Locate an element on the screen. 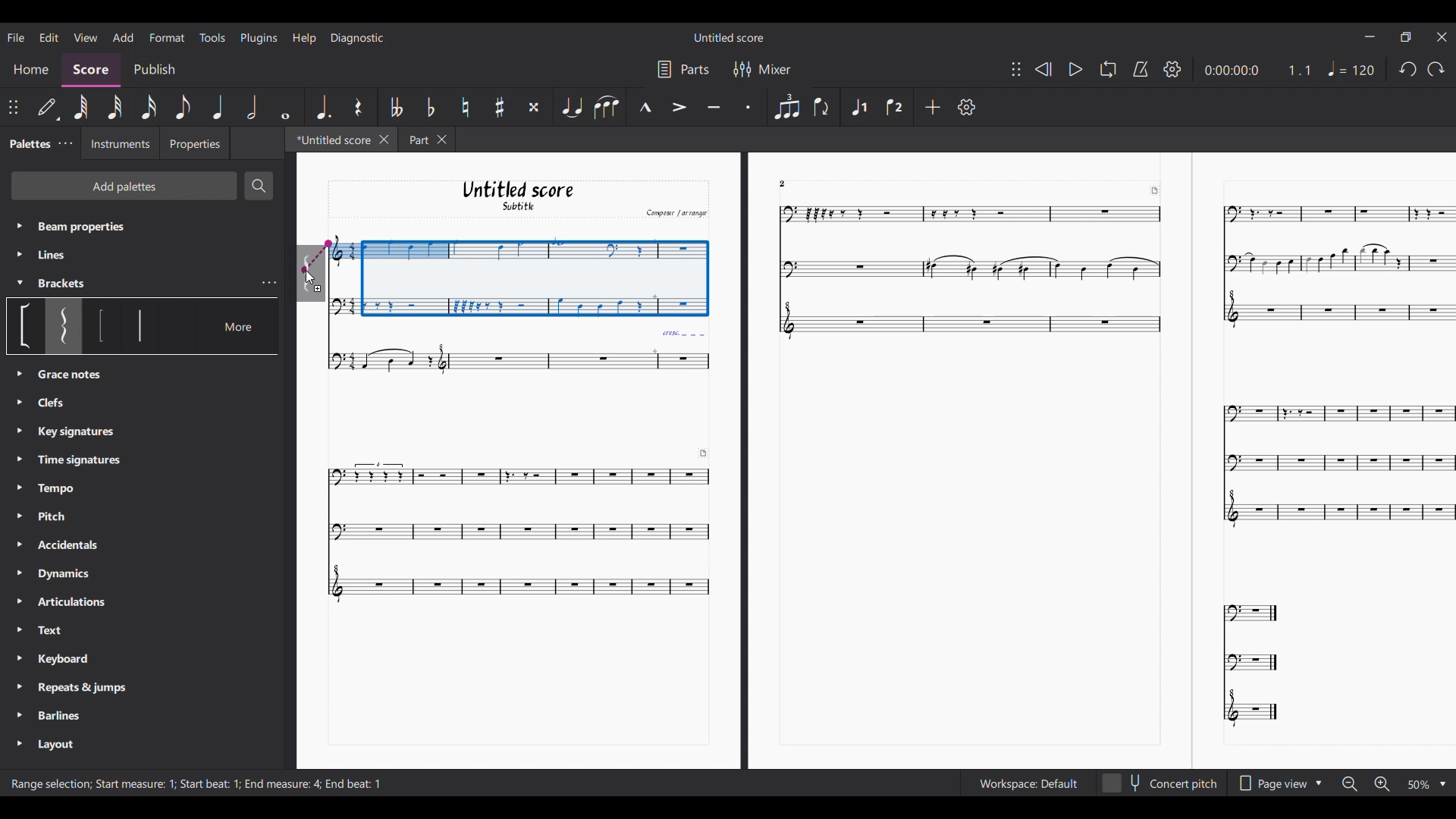 Image resolution: width=1456 pixels, height=819 pixels.  is located at coordinates (14, 252).